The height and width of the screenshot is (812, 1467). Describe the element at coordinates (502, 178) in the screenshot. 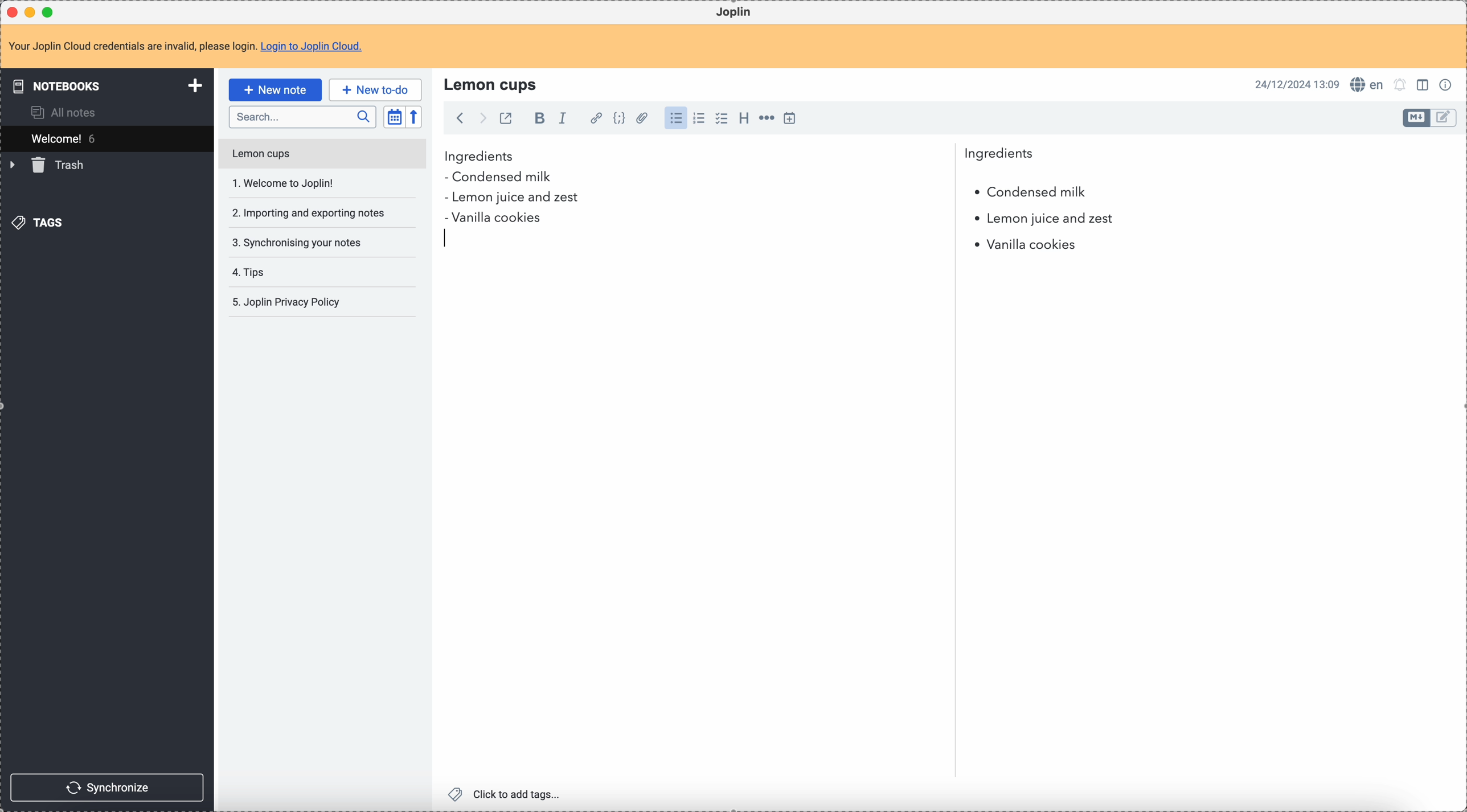

I see `condensed milk` at that location.